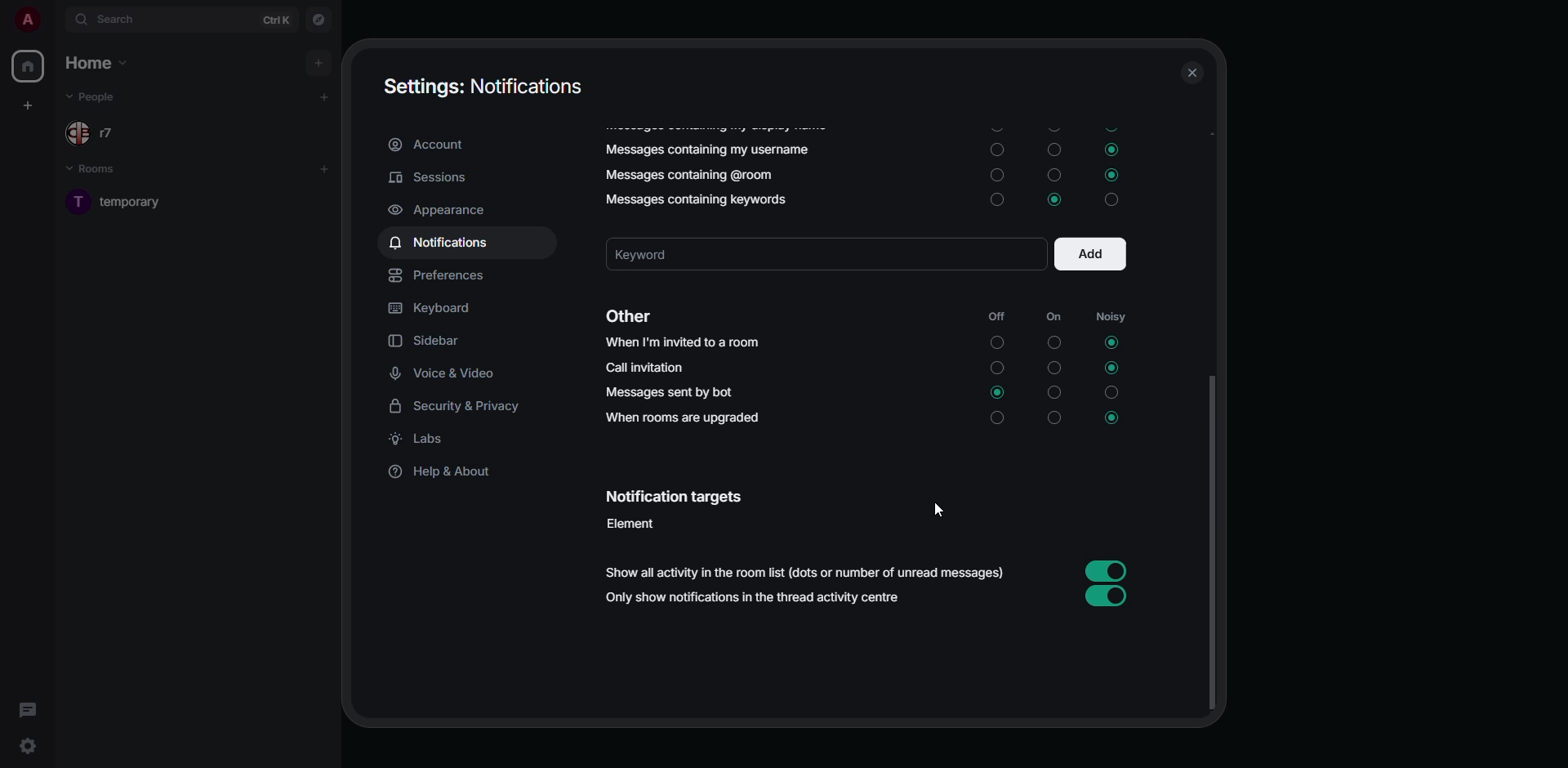 The width and height of the screenshot is (1568, 768). What do you see at coordinates (999, 150) in the screenshot?
I see `Off` at bounding box center [999, 150].